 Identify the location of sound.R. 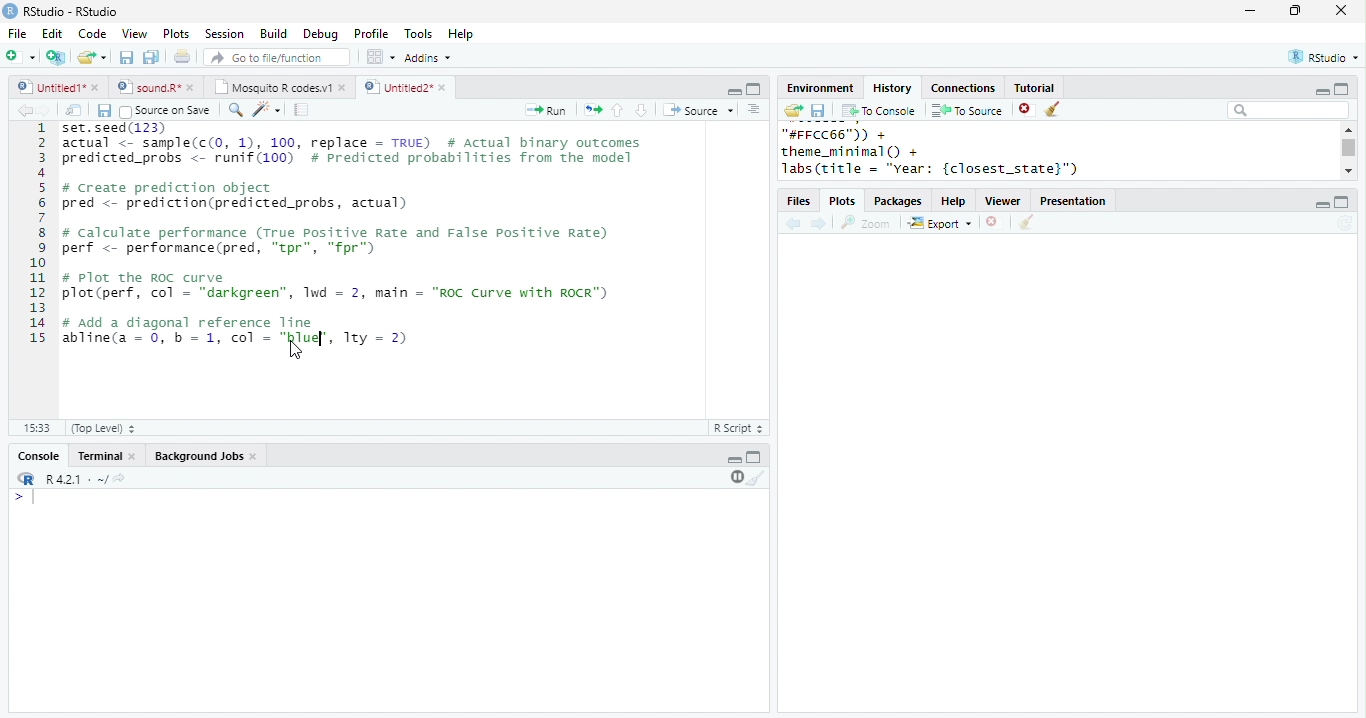
(149, 87).